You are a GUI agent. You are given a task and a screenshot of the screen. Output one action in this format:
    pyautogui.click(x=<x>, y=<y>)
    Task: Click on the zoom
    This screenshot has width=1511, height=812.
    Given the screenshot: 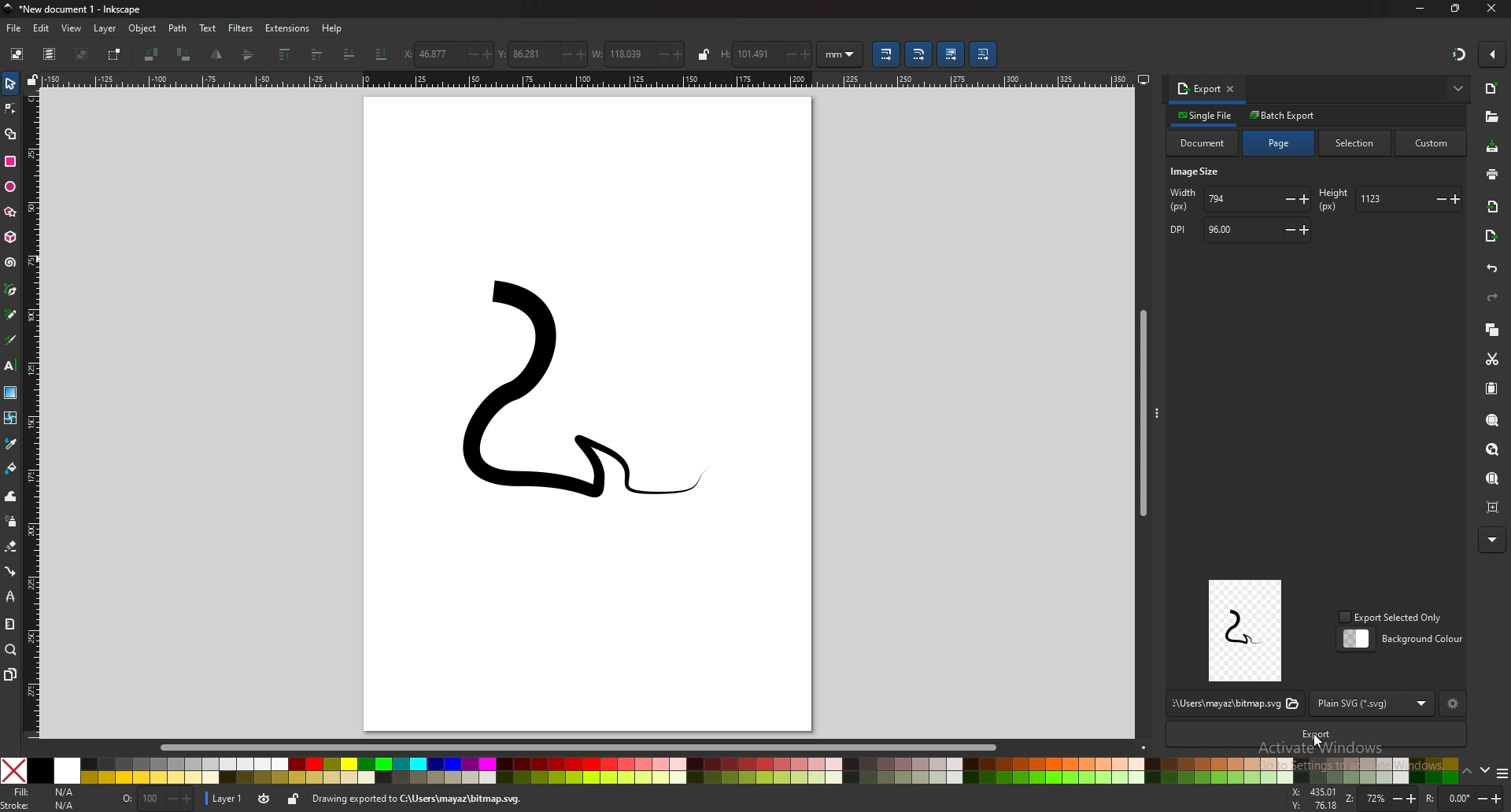 What is the action you would take?
    pyautogui.click(x=11, y=651)
    